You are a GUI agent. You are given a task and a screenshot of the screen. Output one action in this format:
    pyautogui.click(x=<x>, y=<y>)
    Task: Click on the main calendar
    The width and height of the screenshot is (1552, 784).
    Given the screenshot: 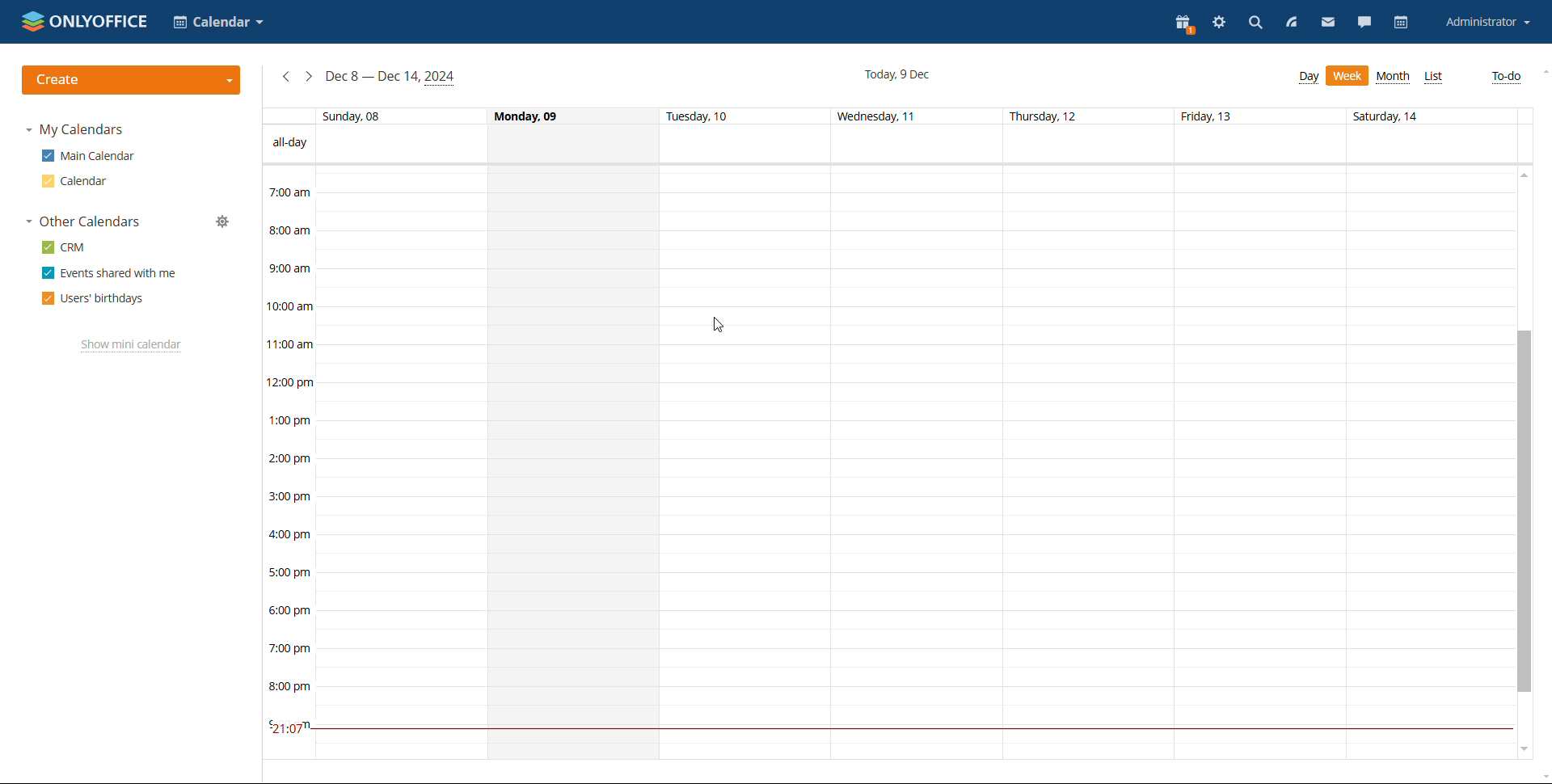 What is the action you would take?
    pyautogui.click(x=88, y=156)
    